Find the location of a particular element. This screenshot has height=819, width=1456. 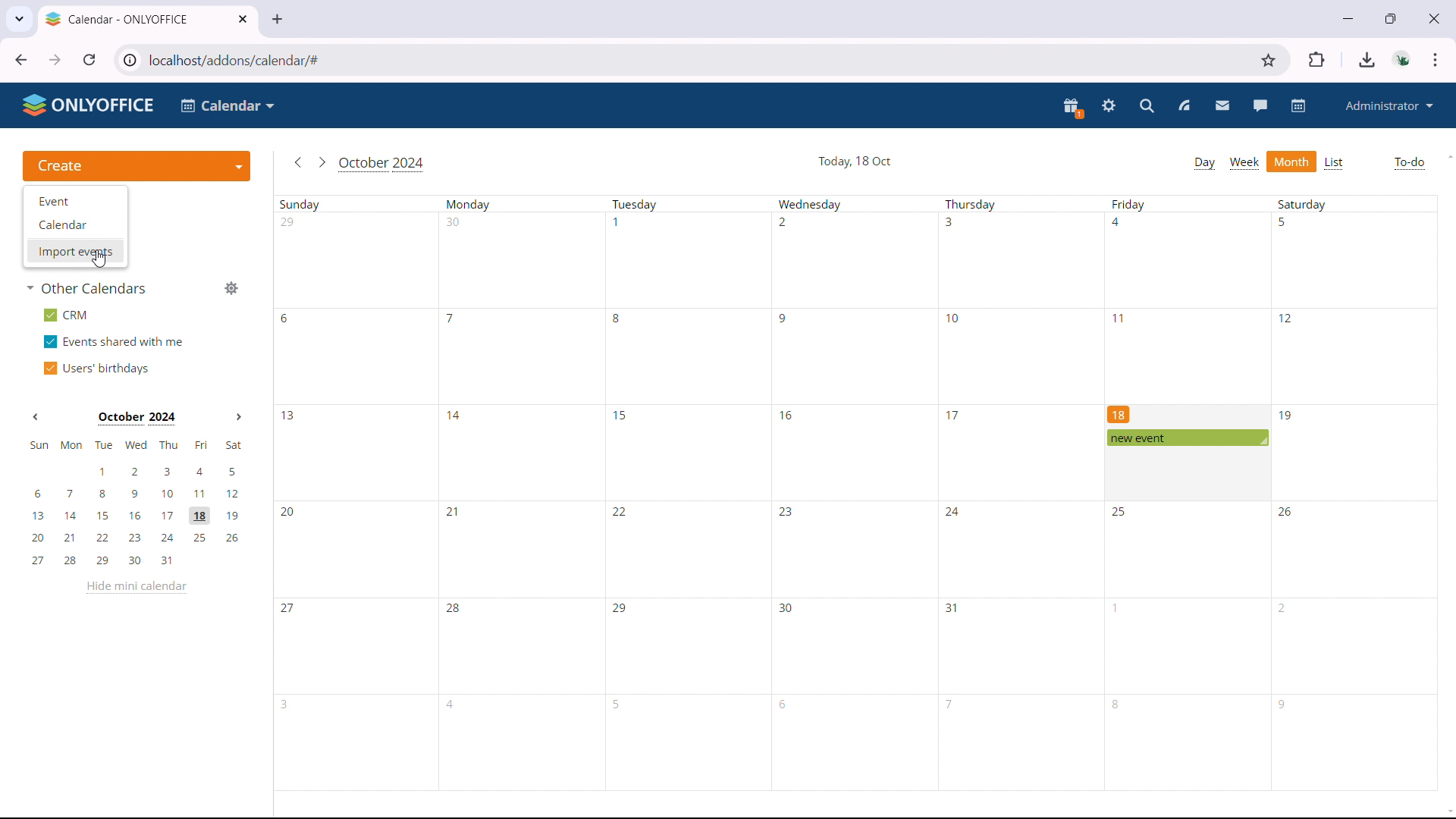

accounts is located at coordinates (1404, 59).